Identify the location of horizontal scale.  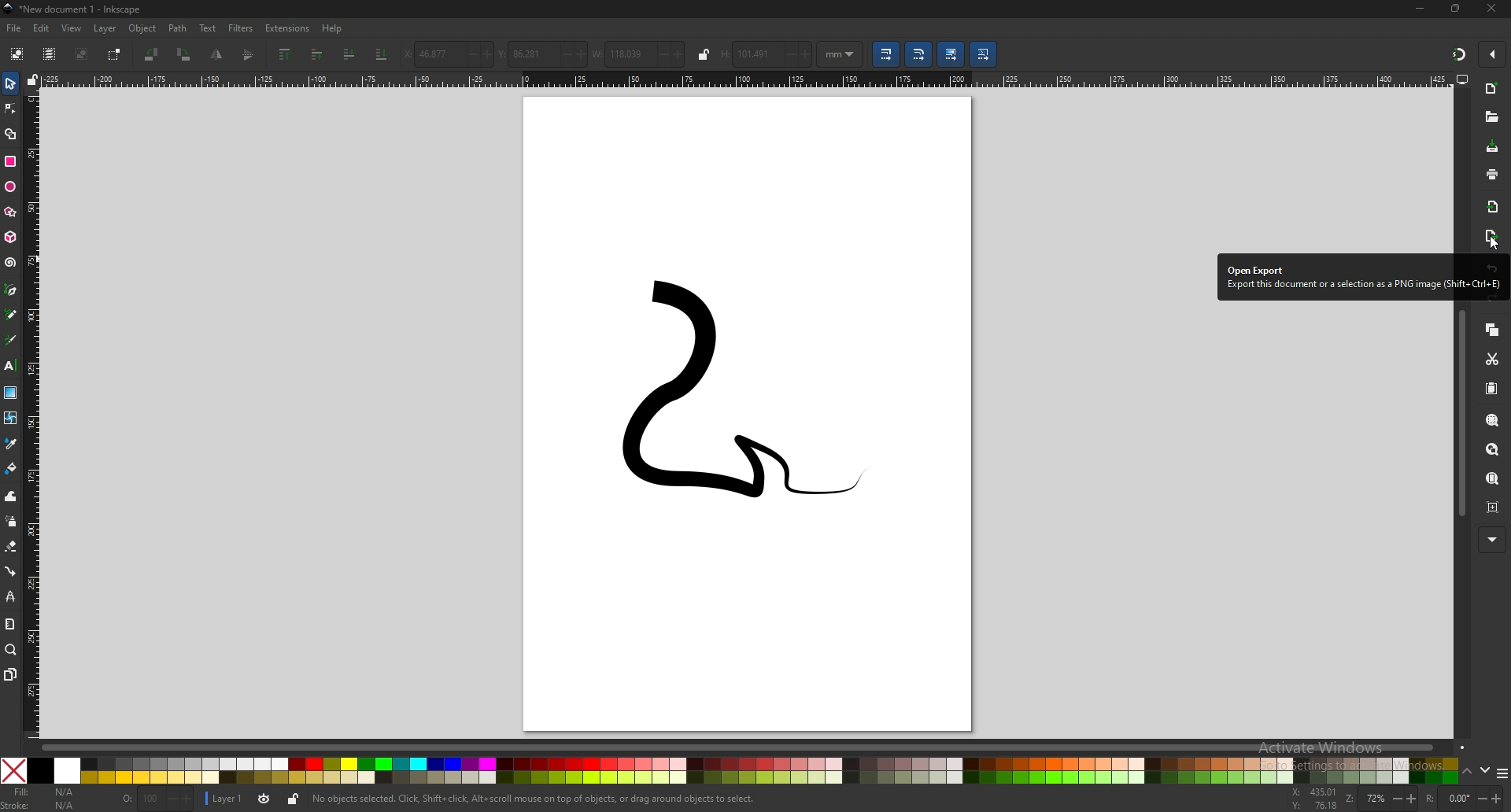
(746, 79).